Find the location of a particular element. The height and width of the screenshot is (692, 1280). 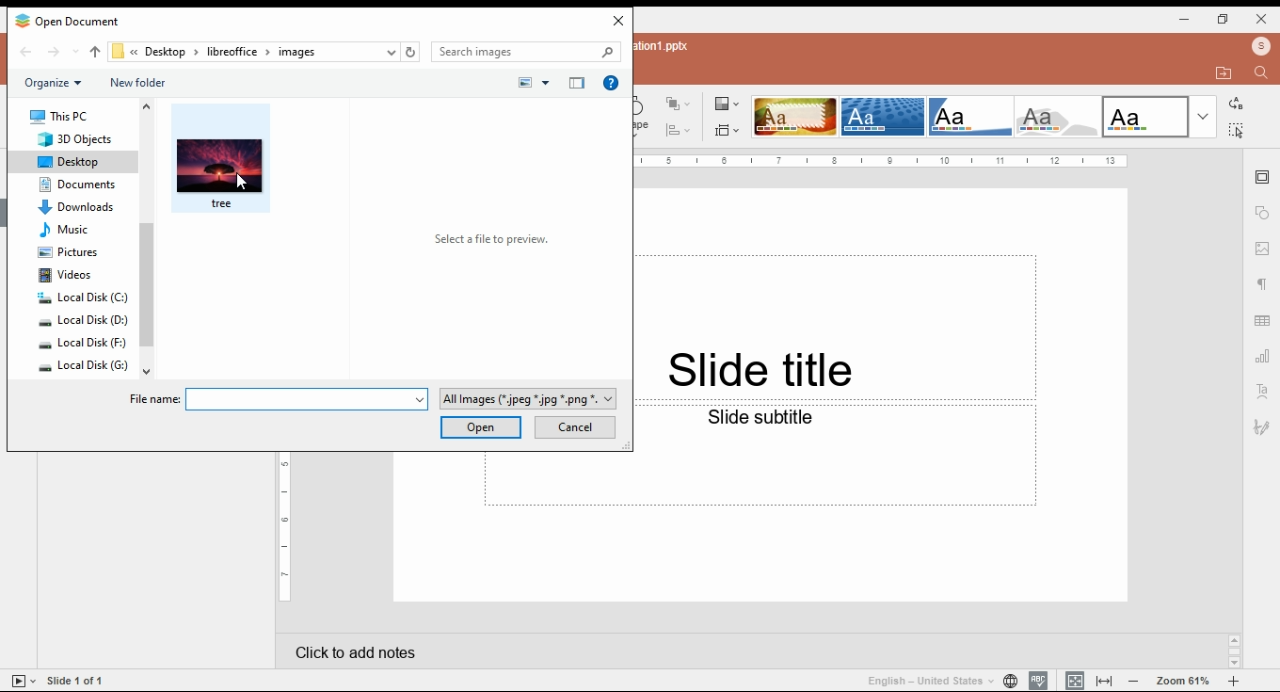

new folder is located at coordinates (139, 83).